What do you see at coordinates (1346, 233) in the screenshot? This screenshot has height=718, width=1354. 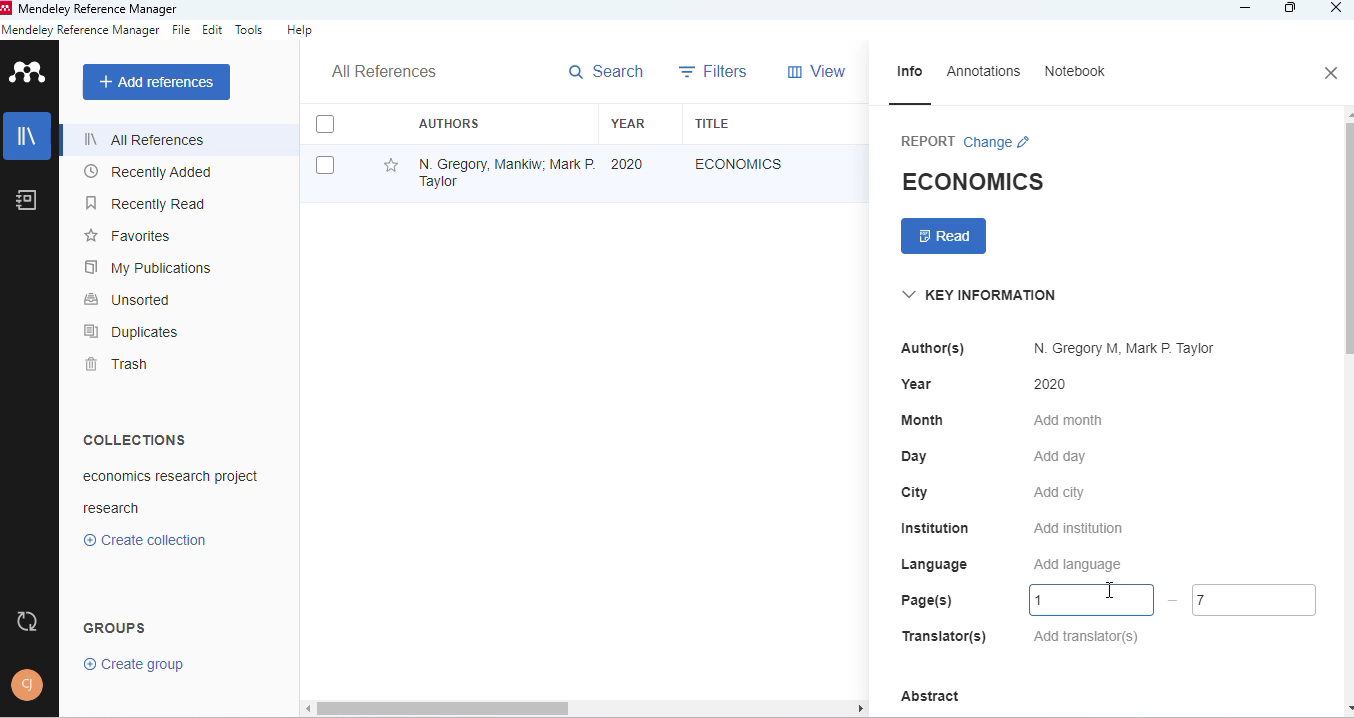 I see `scrollbar` at bounding box center [1346, 233].